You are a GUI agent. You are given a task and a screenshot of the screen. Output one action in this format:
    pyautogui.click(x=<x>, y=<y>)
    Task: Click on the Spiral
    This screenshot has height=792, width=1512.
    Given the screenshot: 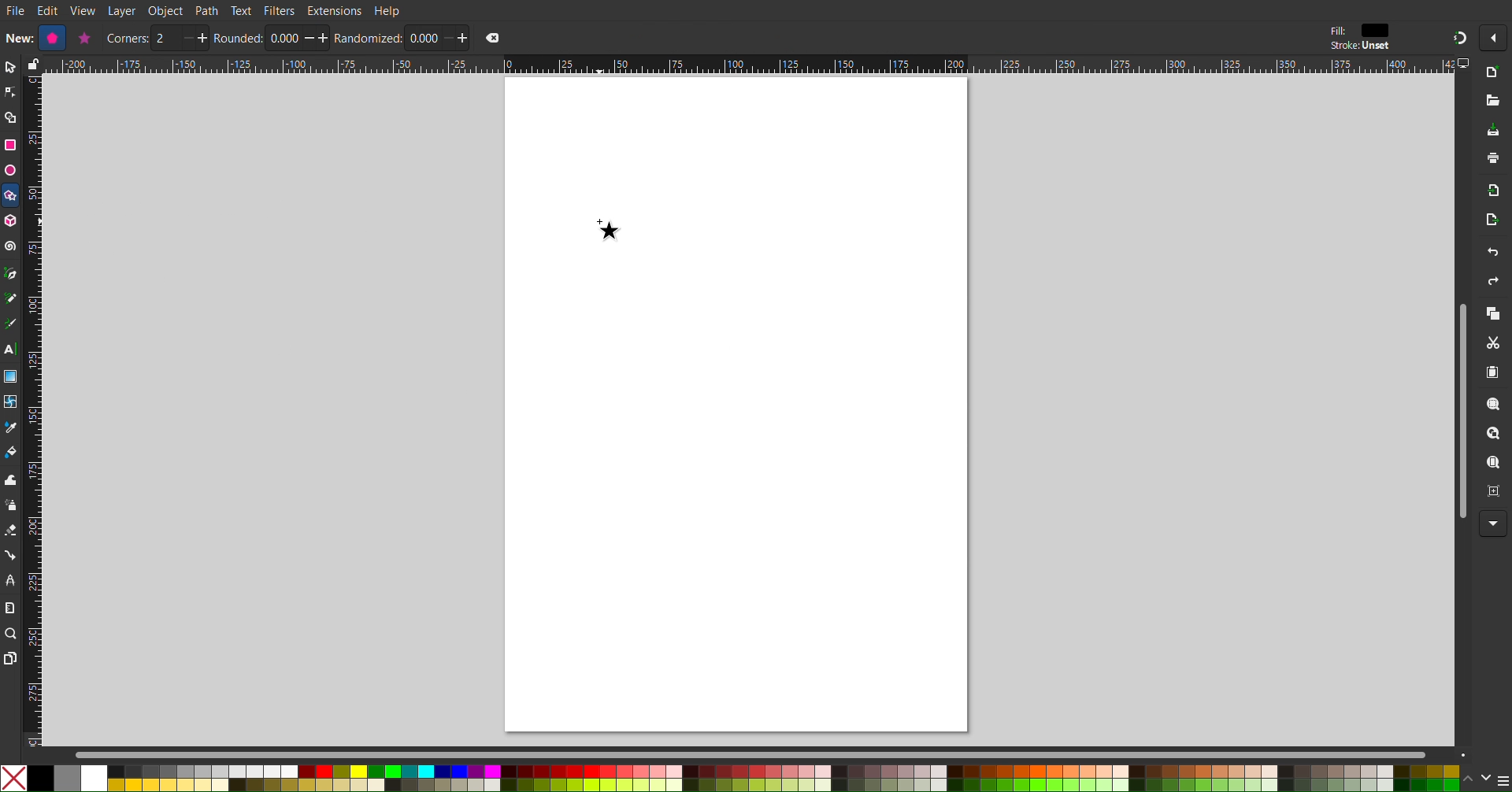 What is the action you would take?
    pyautogui.click(x=11, y=246)
    